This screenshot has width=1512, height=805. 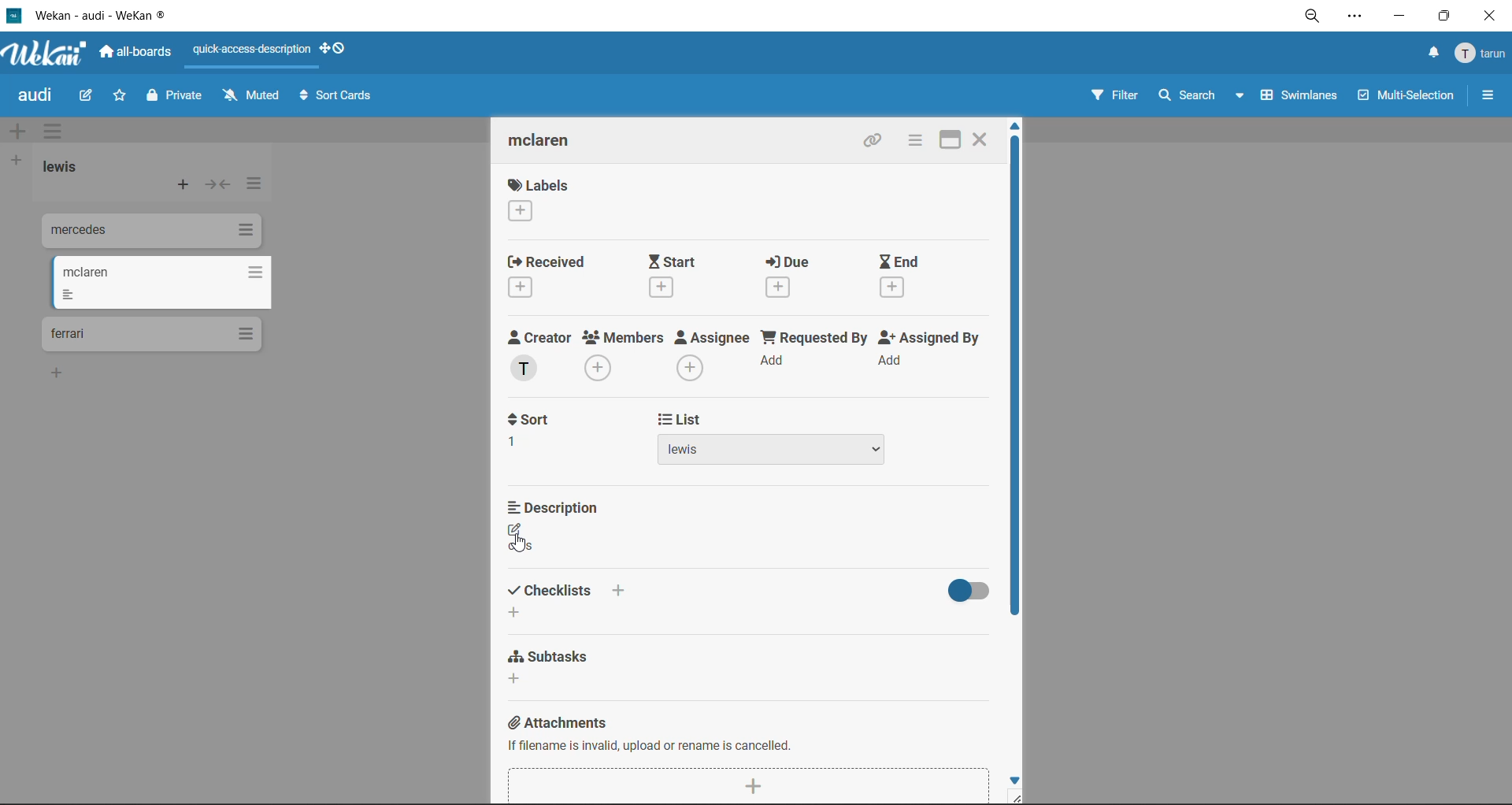 I want to click on end, so click(x=915, y=278).